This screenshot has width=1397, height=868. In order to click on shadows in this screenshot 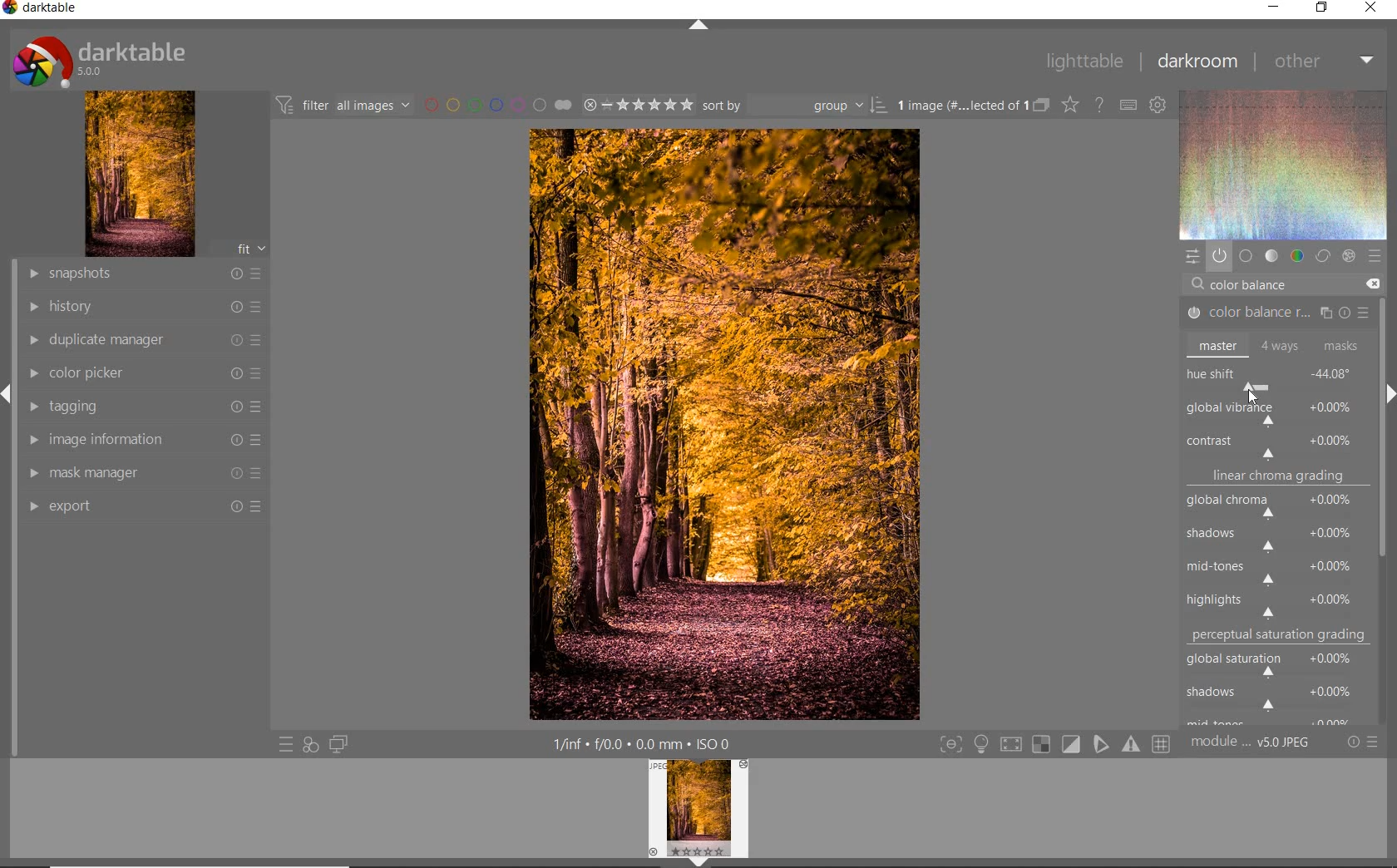, I will do `click(1275, 540)`.